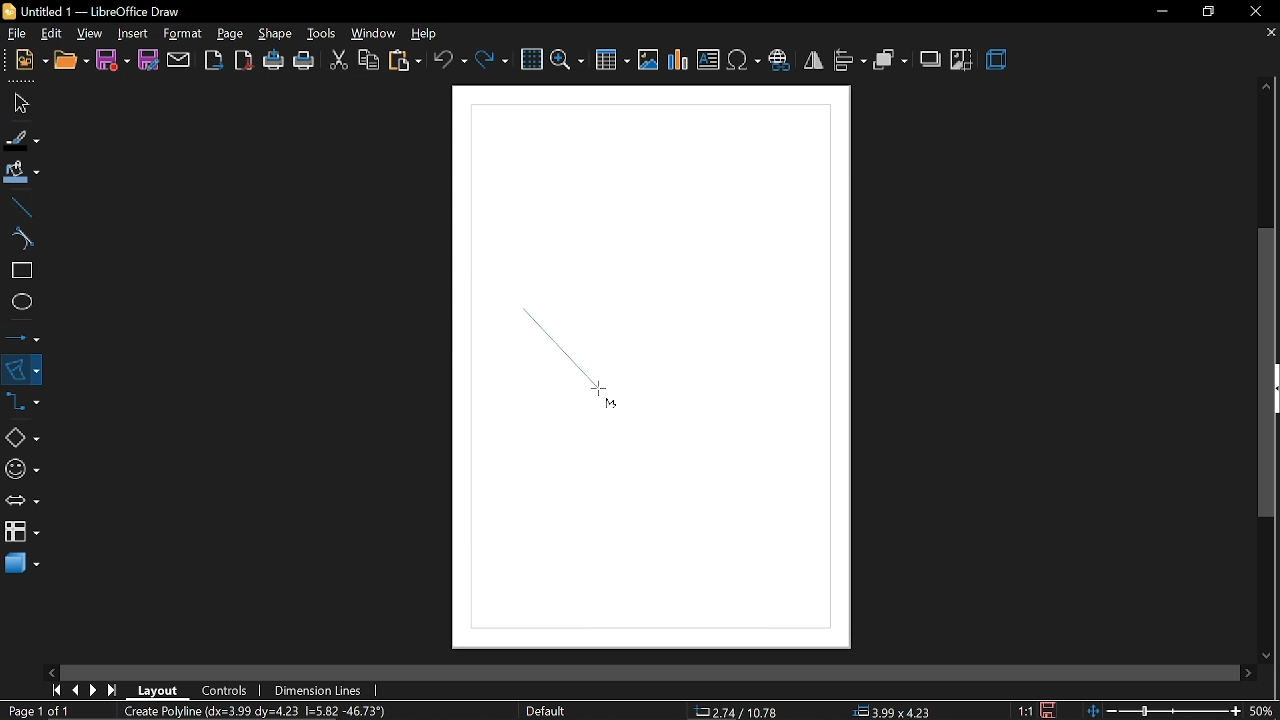 This screenshot has height=720, width=1280. I want to click on print, so click(305, 61).